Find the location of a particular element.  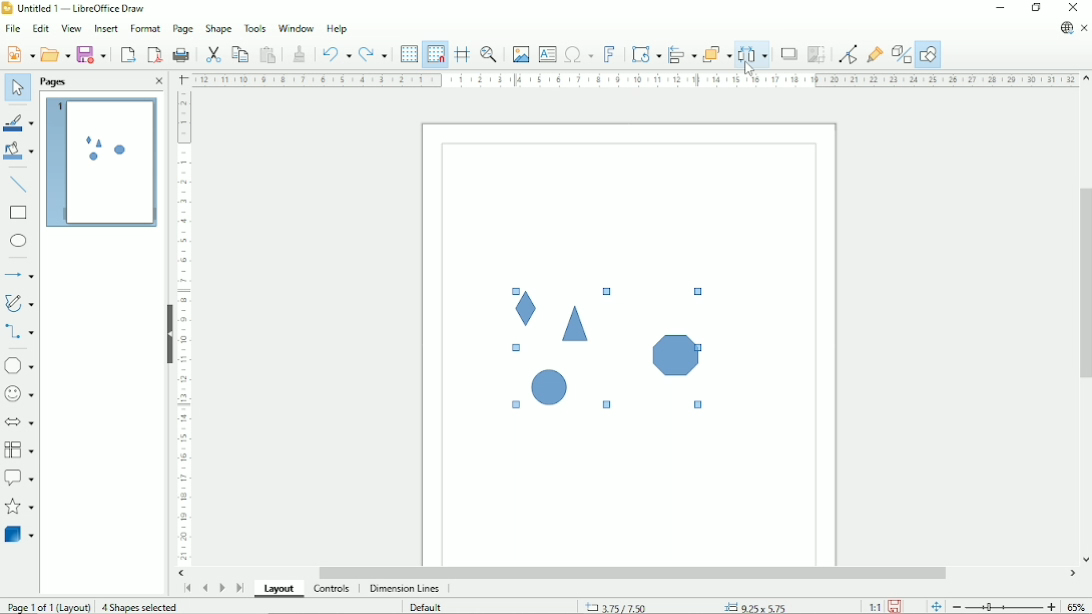

Controls is located at coordinates (332, 589).